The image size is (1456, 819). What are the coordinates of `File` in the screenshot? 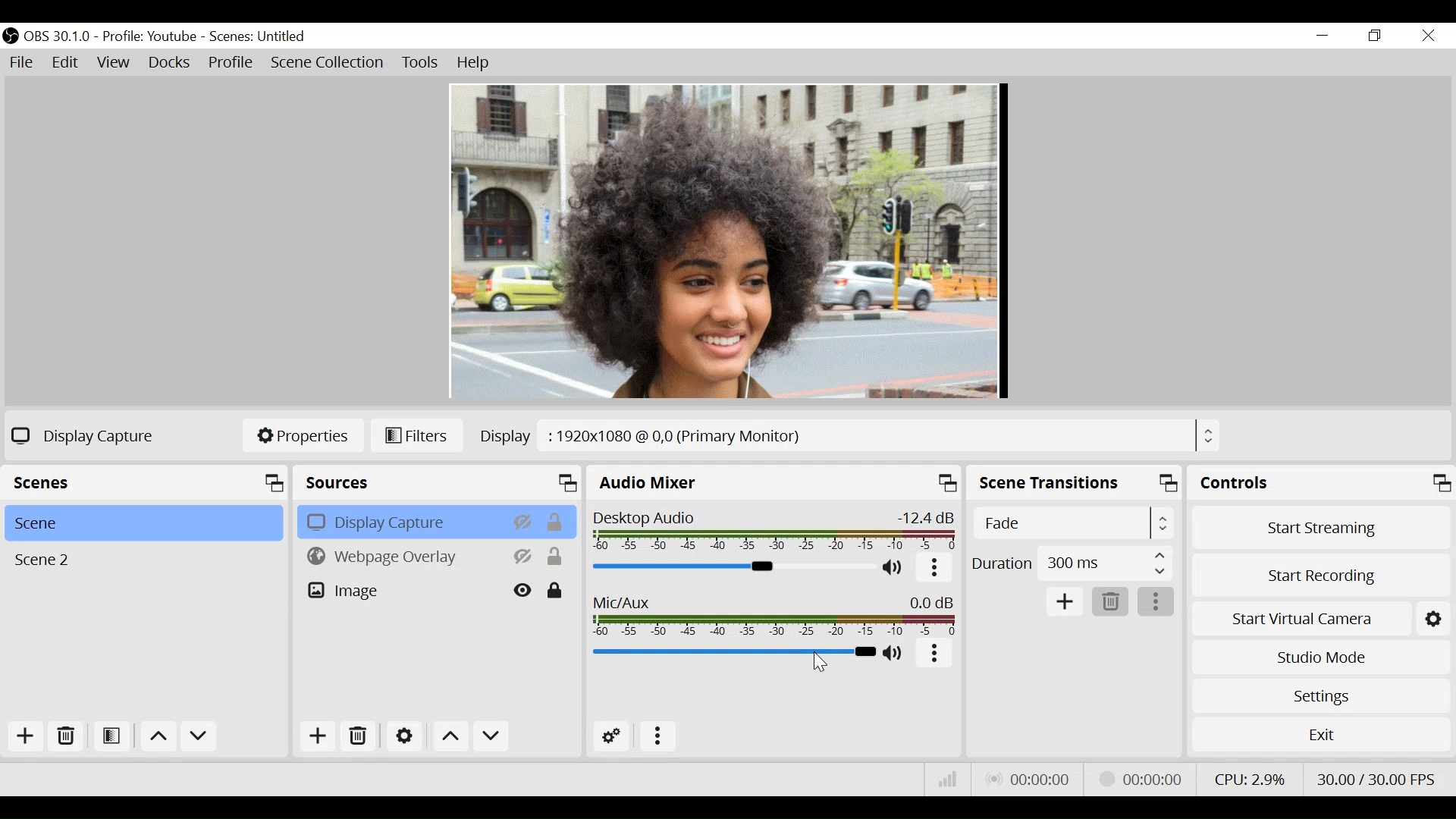 It's located at (22, 63).